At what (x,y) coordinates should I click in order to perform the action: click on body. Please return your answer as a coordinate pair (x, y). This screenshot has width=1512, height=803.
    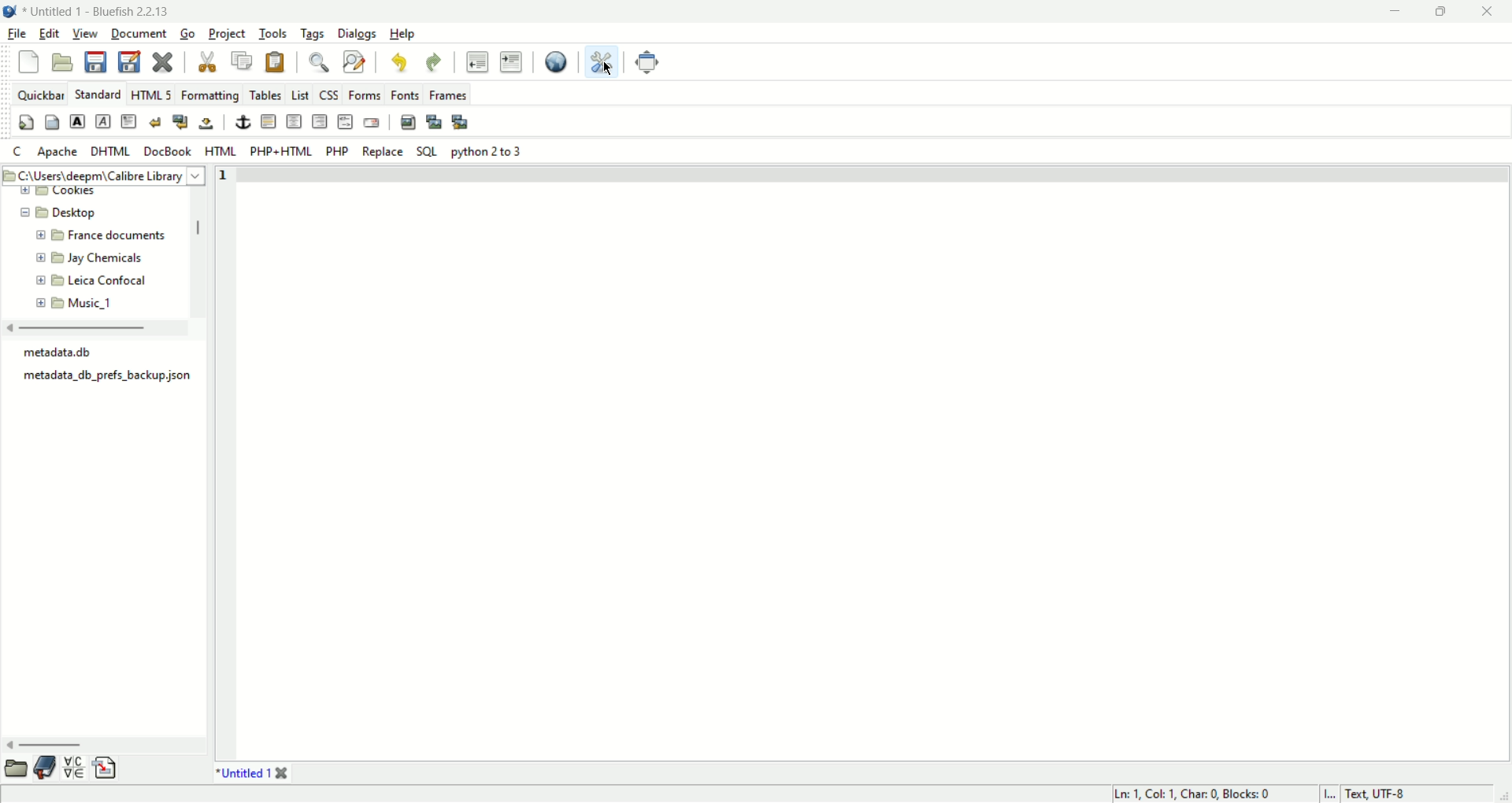
    Looking at the image, I should click on (53, 122).